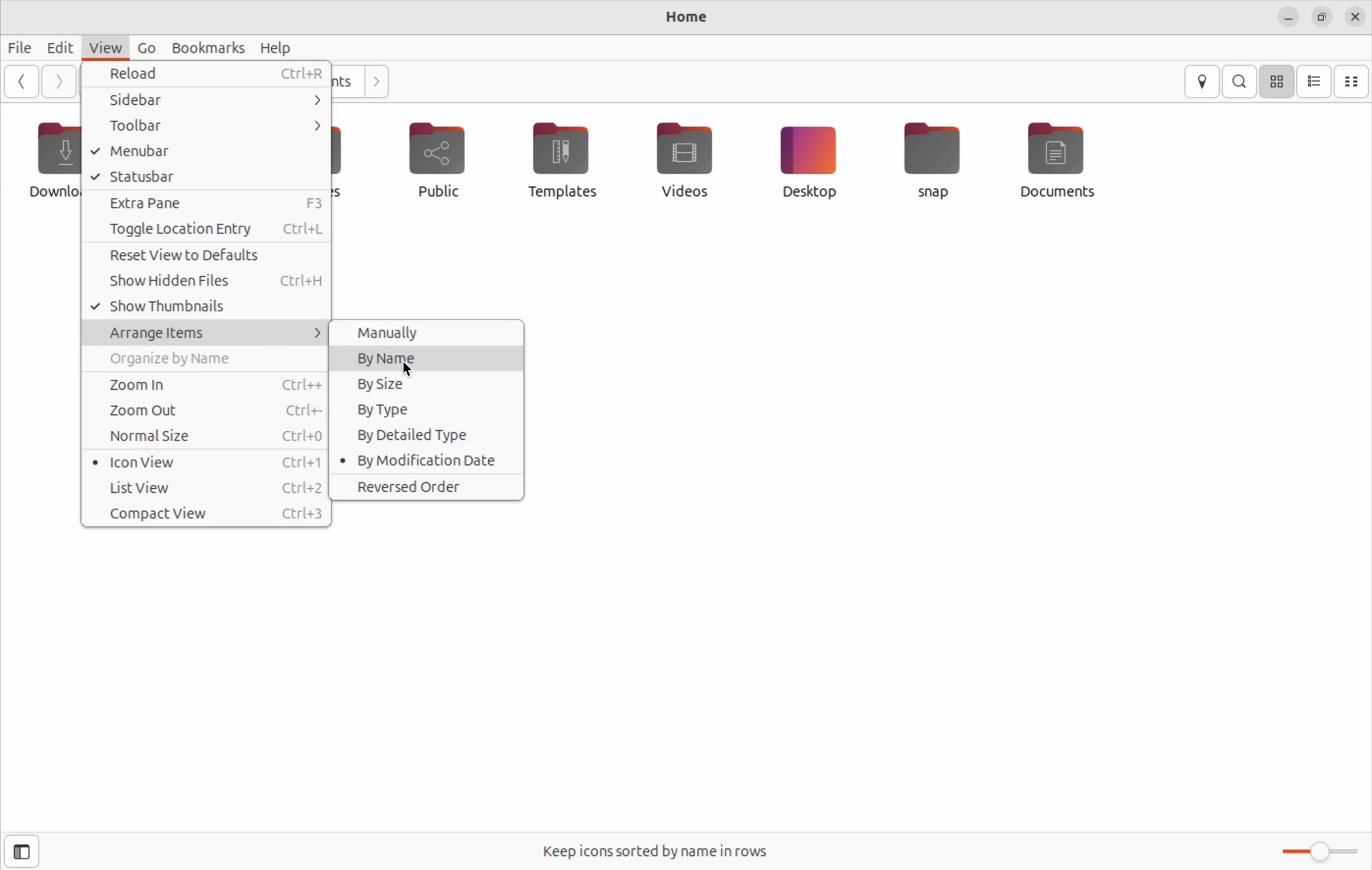  I want to click on reversed order, so click(427, 488).